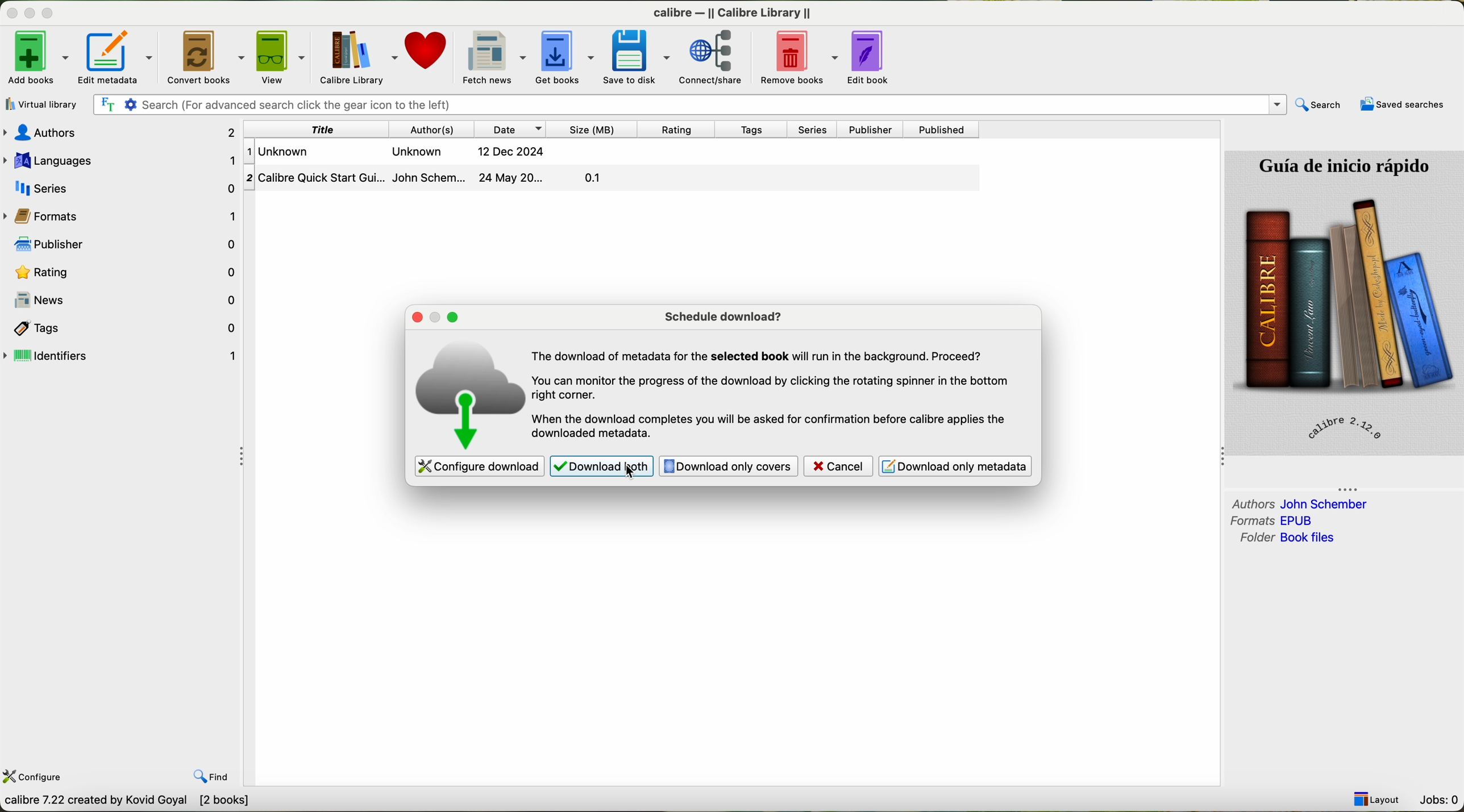  Describe the element at coordinates (639, 56) in the screenshot. I see `save to disk` at that location.